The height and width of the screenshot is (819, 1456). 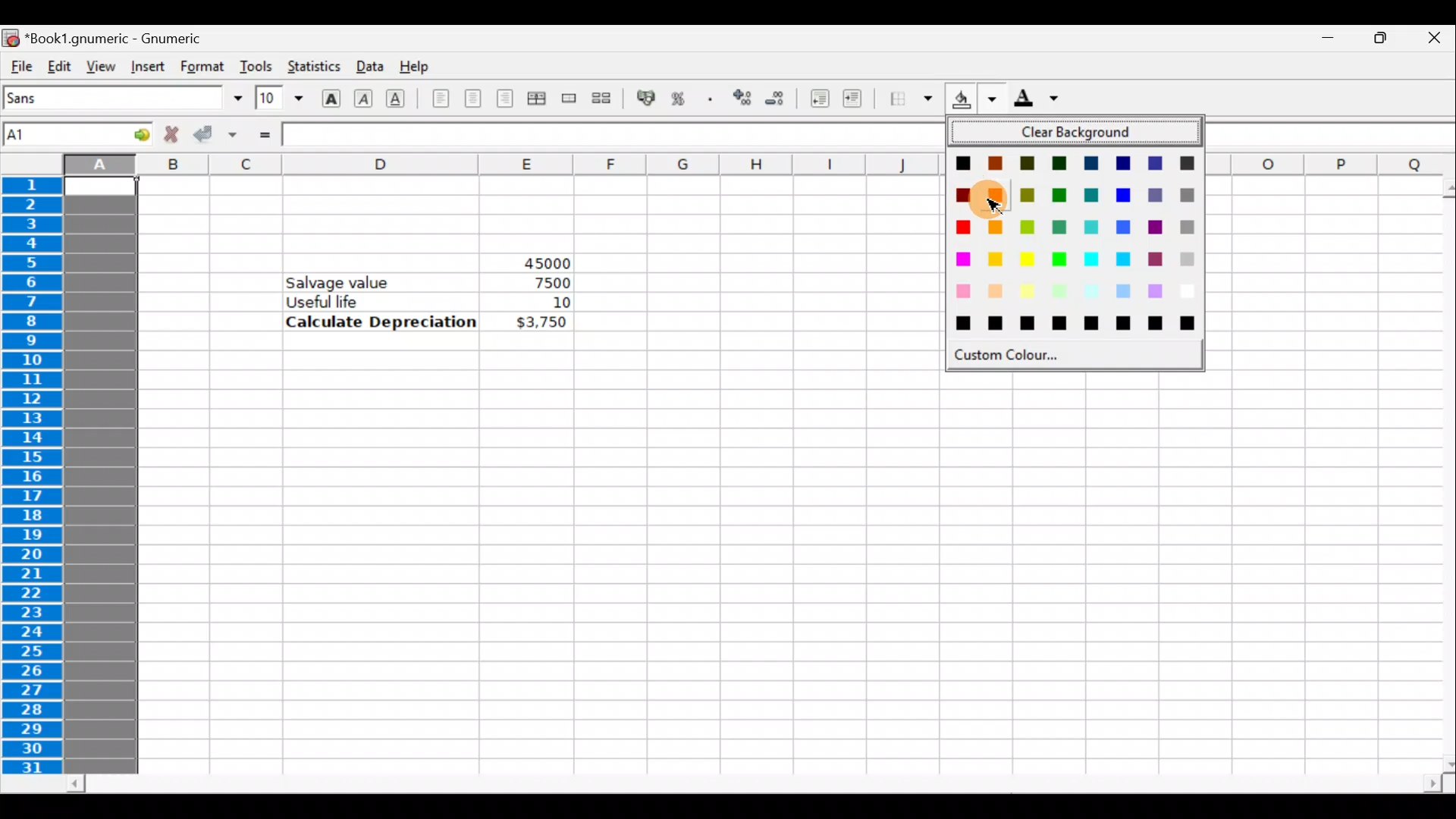 What do you see at coordinates (441, 99) in the screenshot?
I see `Align left` at bounding box center [441, 99].